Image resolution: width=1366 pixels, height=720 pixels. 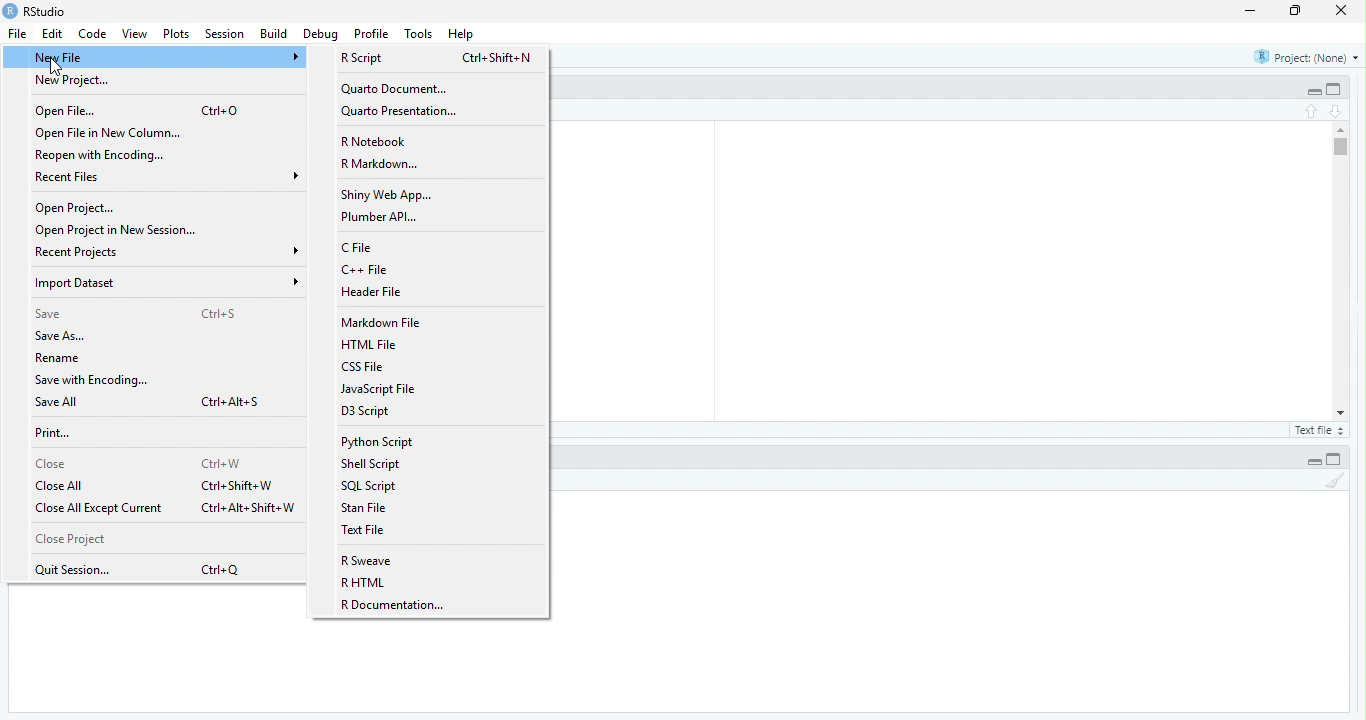 What do you see at coordinates (249, 508) in the screenshot?
I see `Ctrl+Alt+Shift+W` at bounding box center [249, 508].